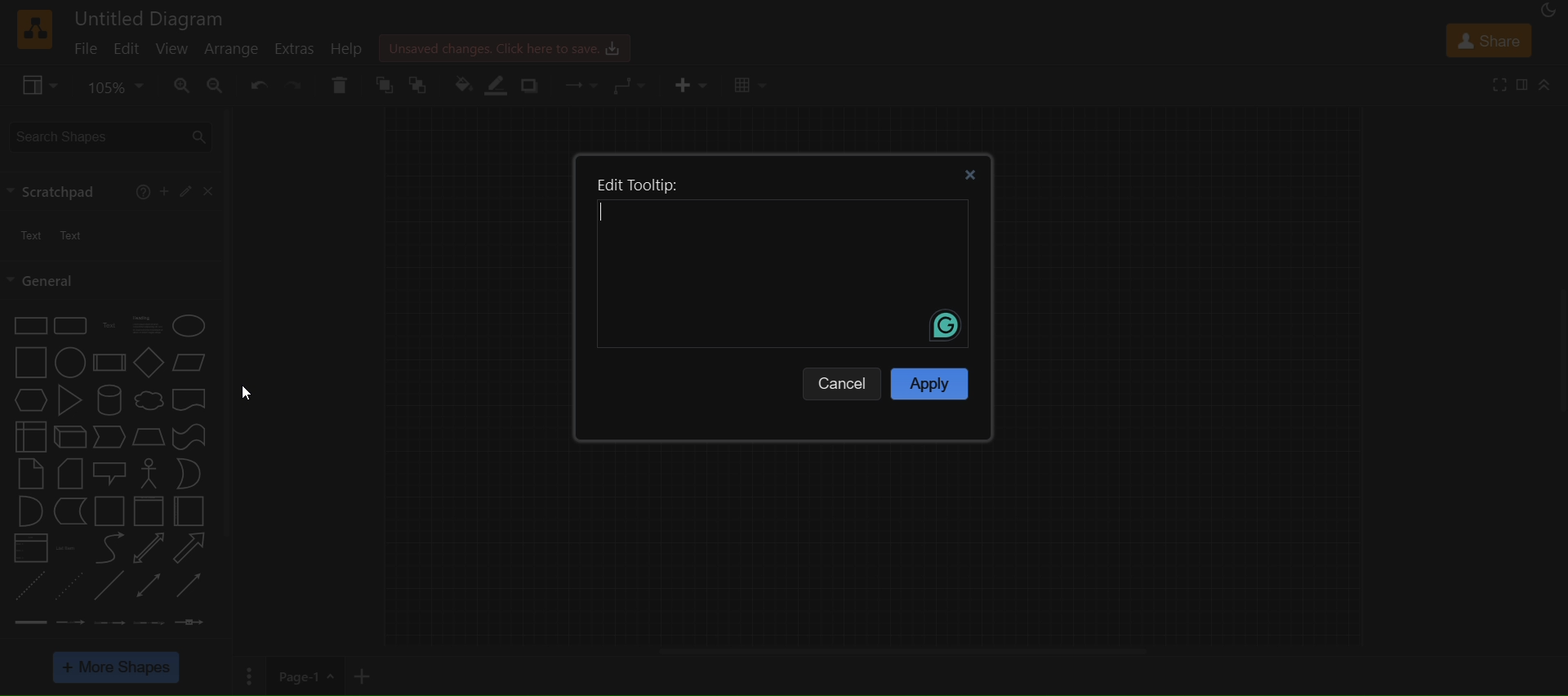 This screenshot has width=1568, height=696. What do you see at coordinates (419, 86) in the screenshot?
I see `to` at bounding box center [419, 86].